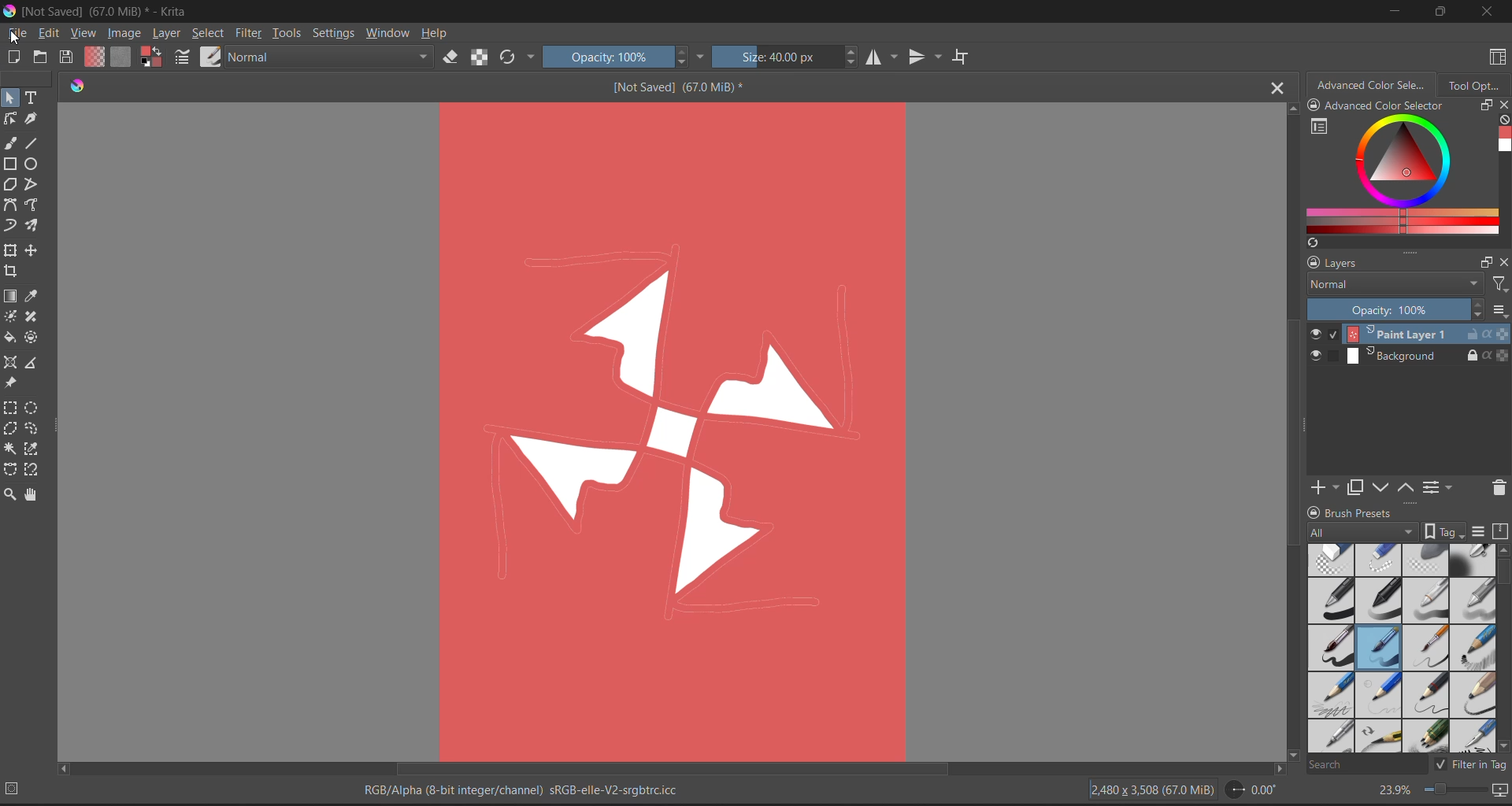 Image resolution: width=1512 pixels, height=806 pixels. Describe the element at coordinates (82, 88) in the screenshot. I see `Software logo` at that location.